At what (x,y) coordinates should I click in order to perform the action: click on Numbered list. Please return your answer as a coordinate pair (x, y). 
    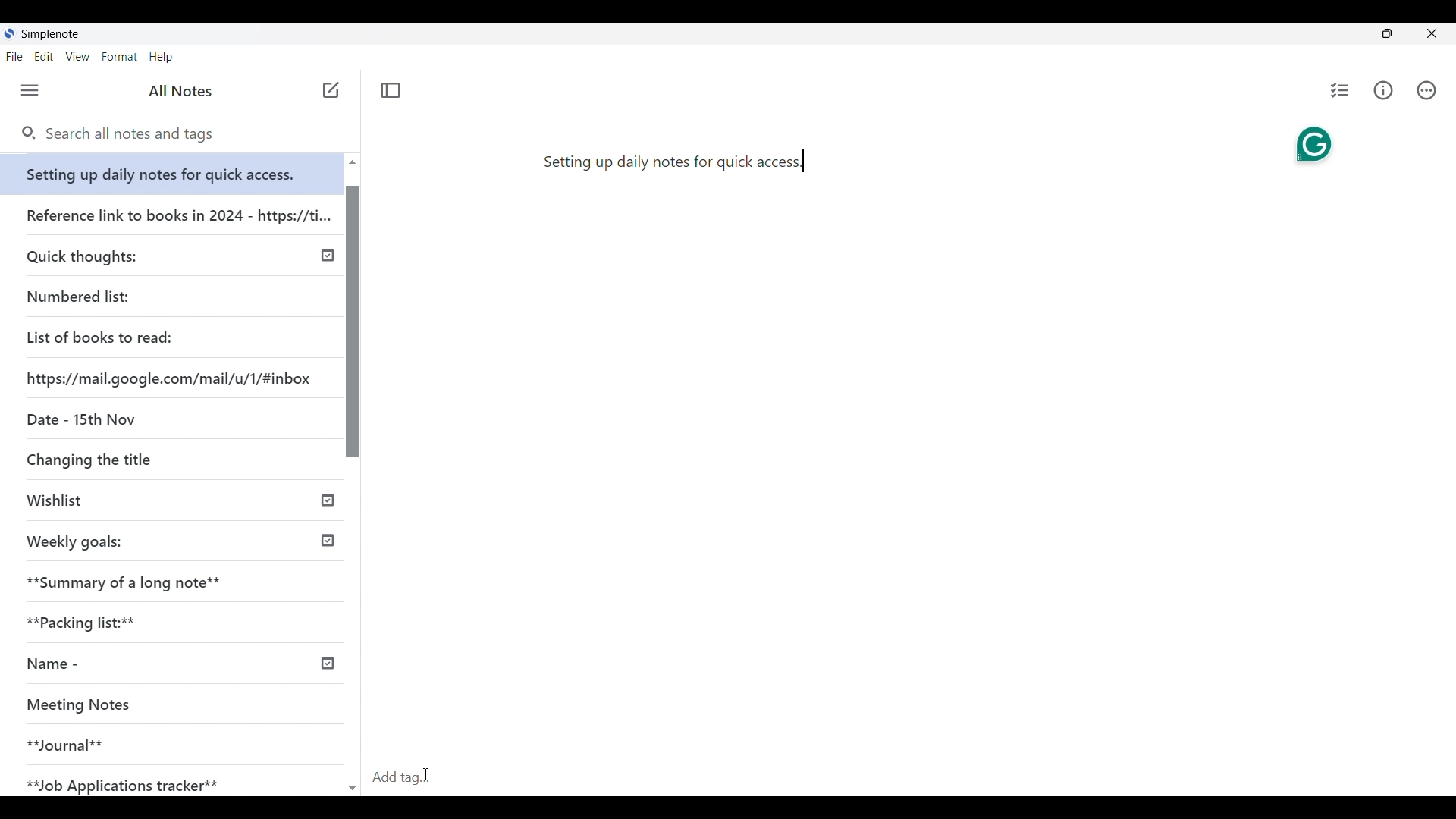
    Looking at the image, I should click on (121, 293).